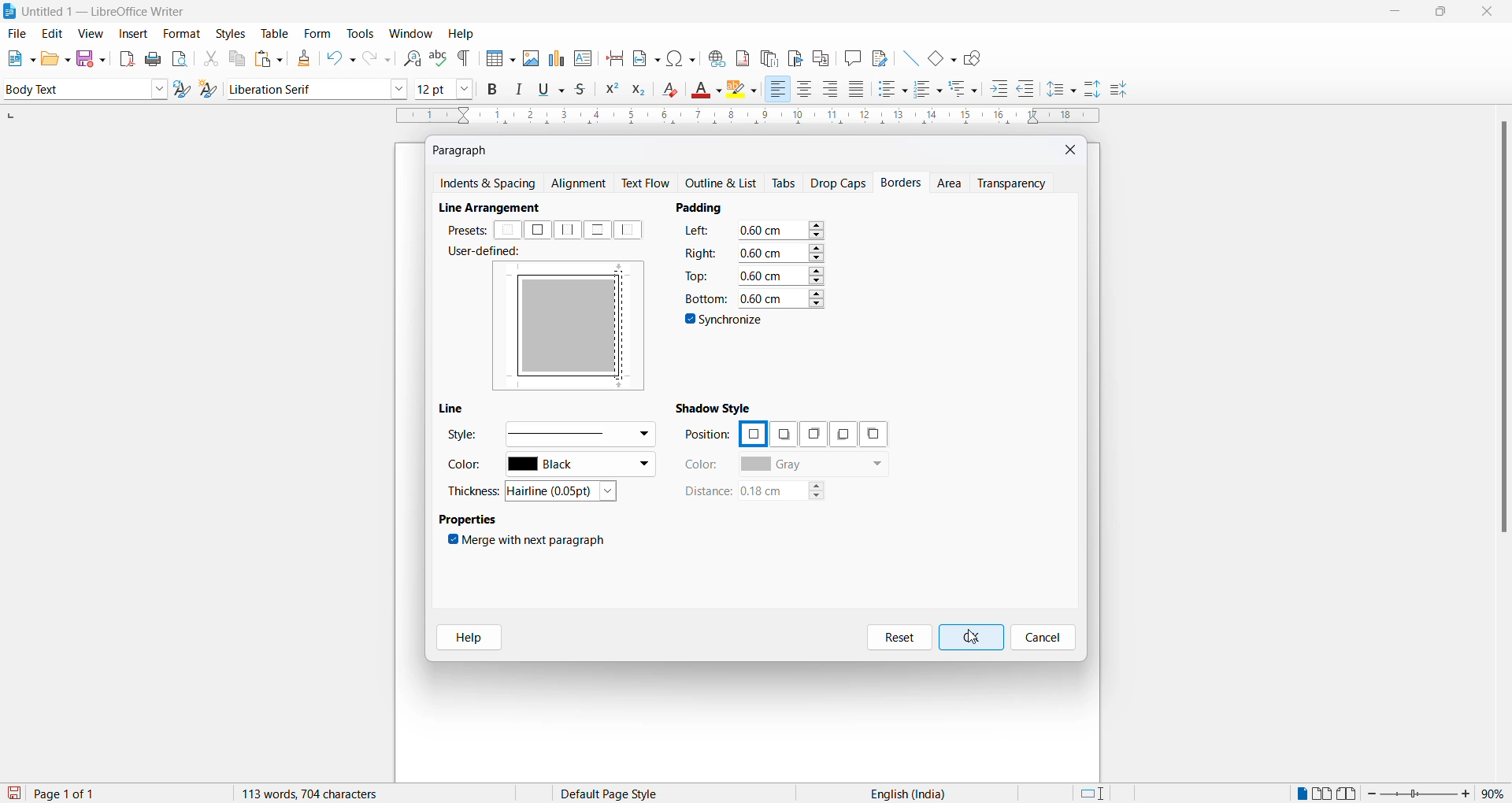  Describe the element at coordinates (615, 57) in the screenshot. I see `page break` at that location.